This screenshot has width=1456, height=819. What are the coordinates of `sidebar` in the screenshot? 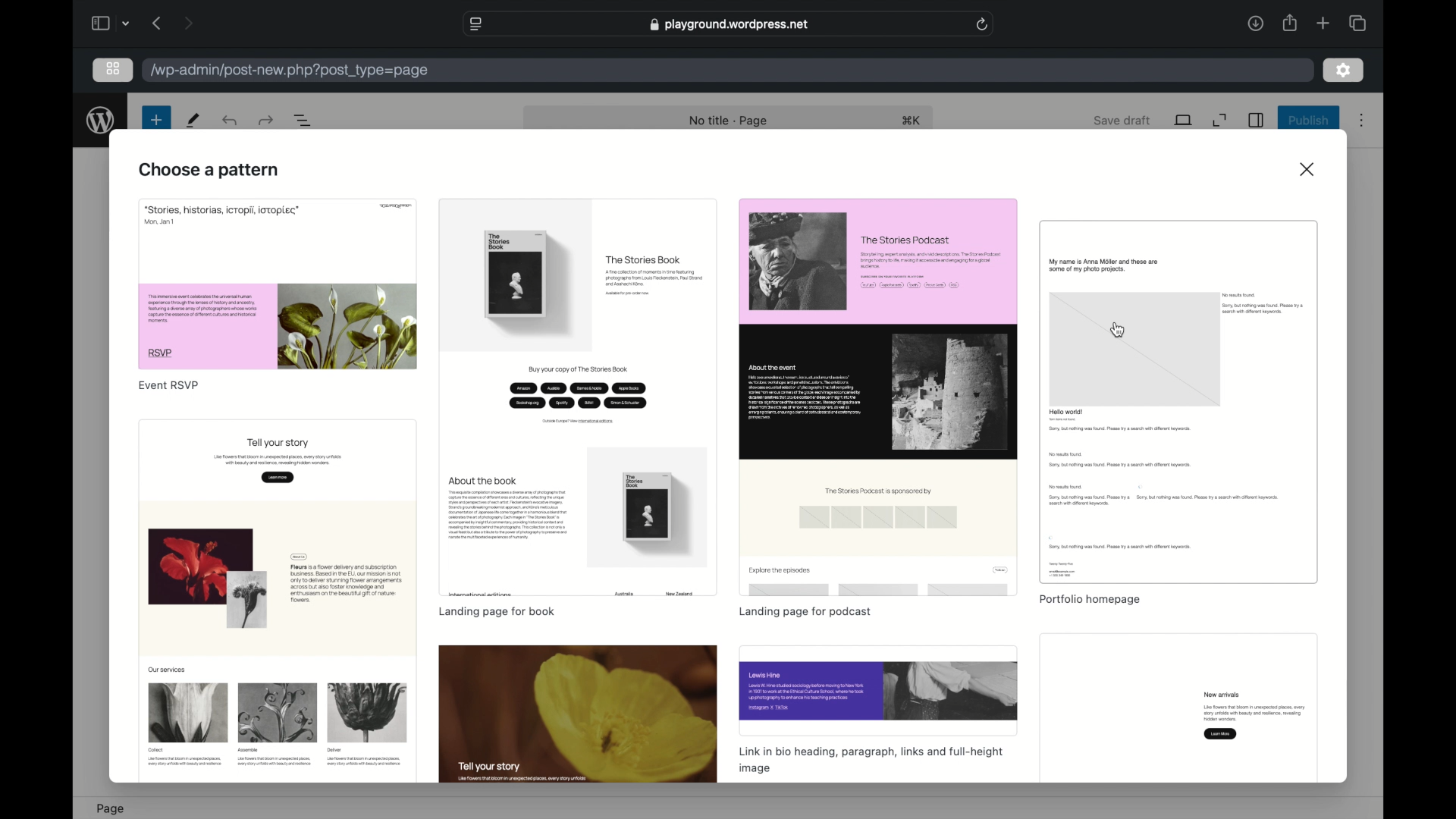 It's located at (1257, 121).